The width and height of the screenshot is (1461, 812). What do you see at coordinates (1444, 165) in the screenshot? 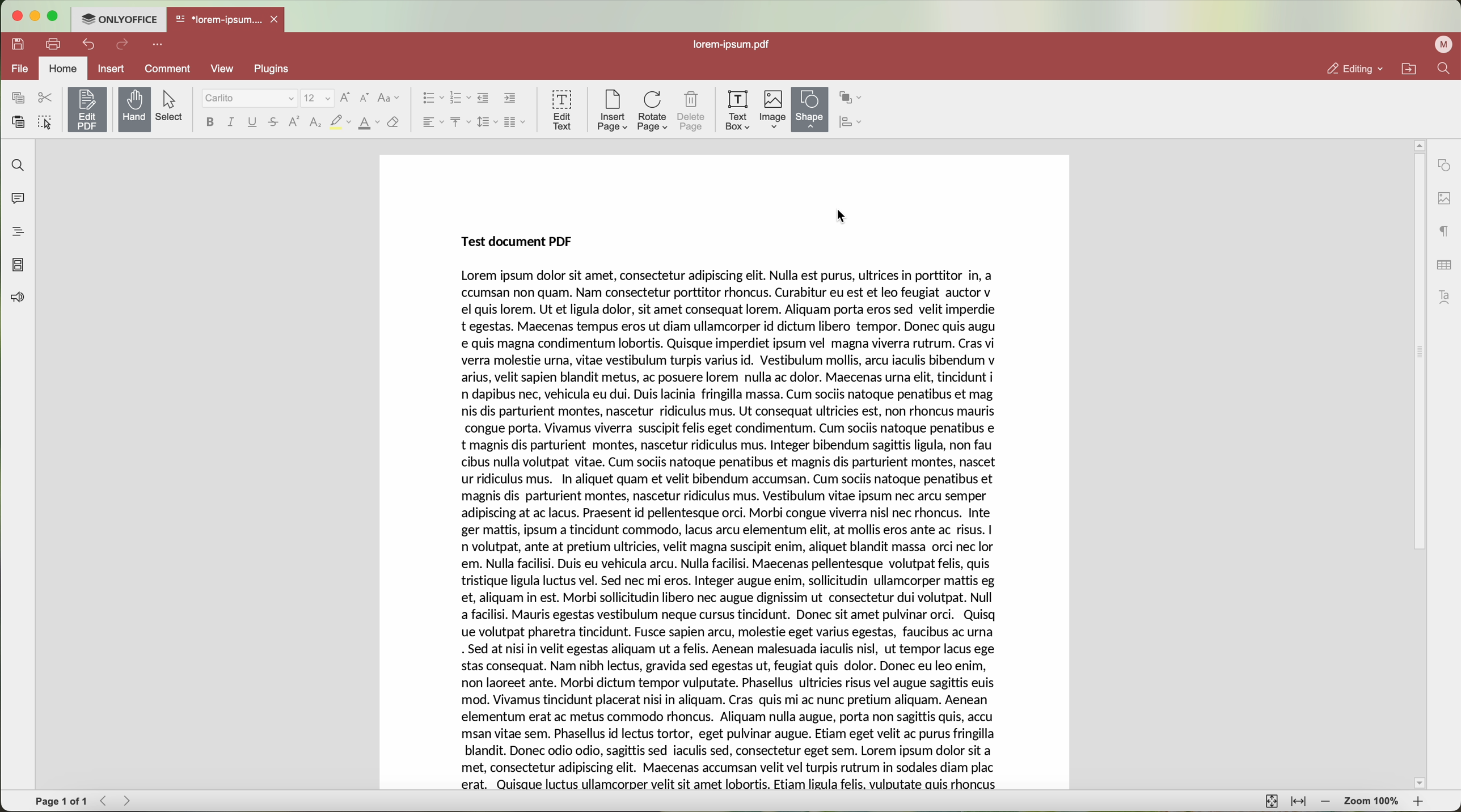
I see `shape settings` at bounding box center [1444, 165].